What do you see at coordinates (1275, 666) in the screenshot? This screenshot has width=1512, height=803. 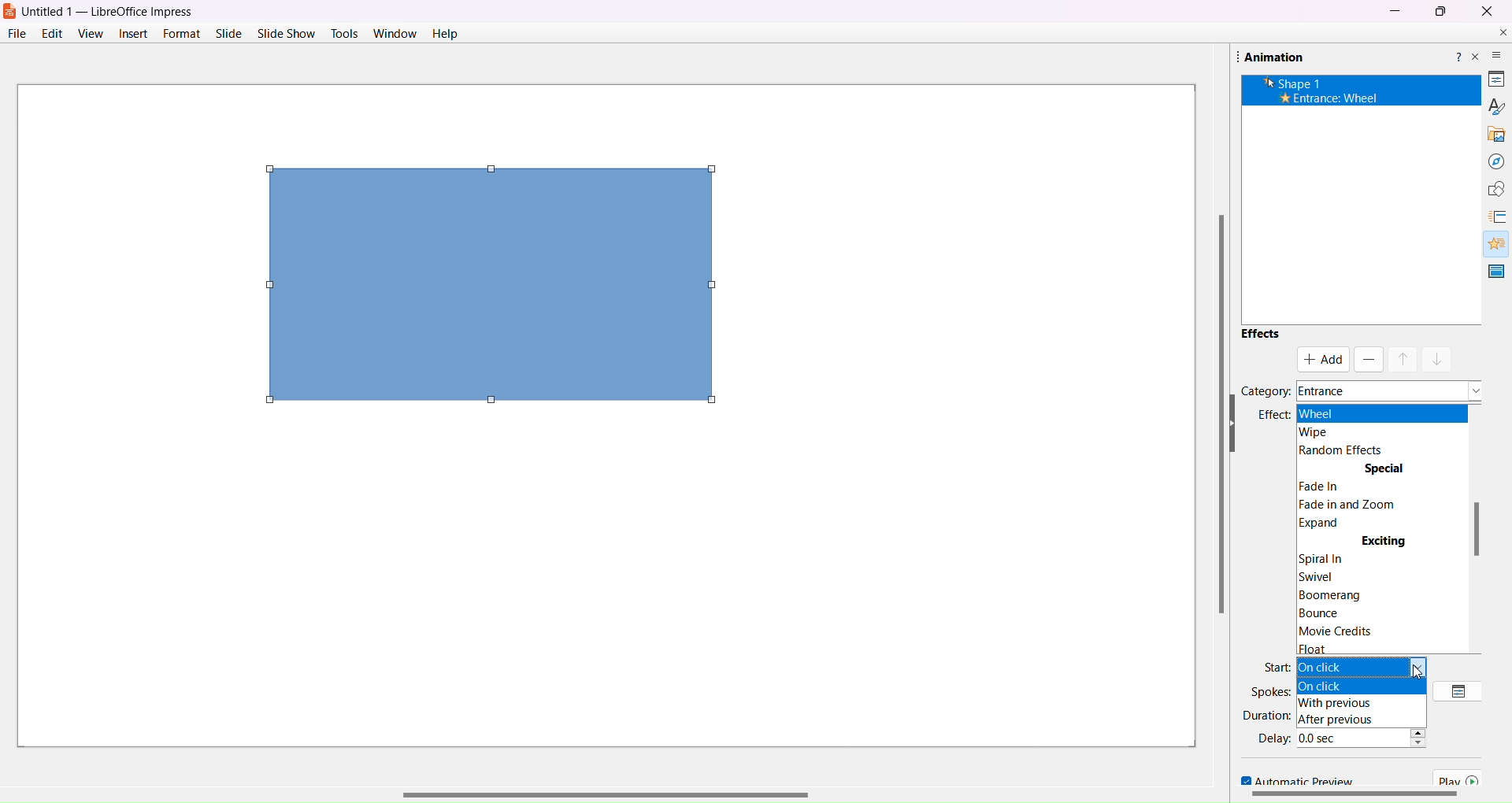 I see `Start` at bounding box center [1275, 666].